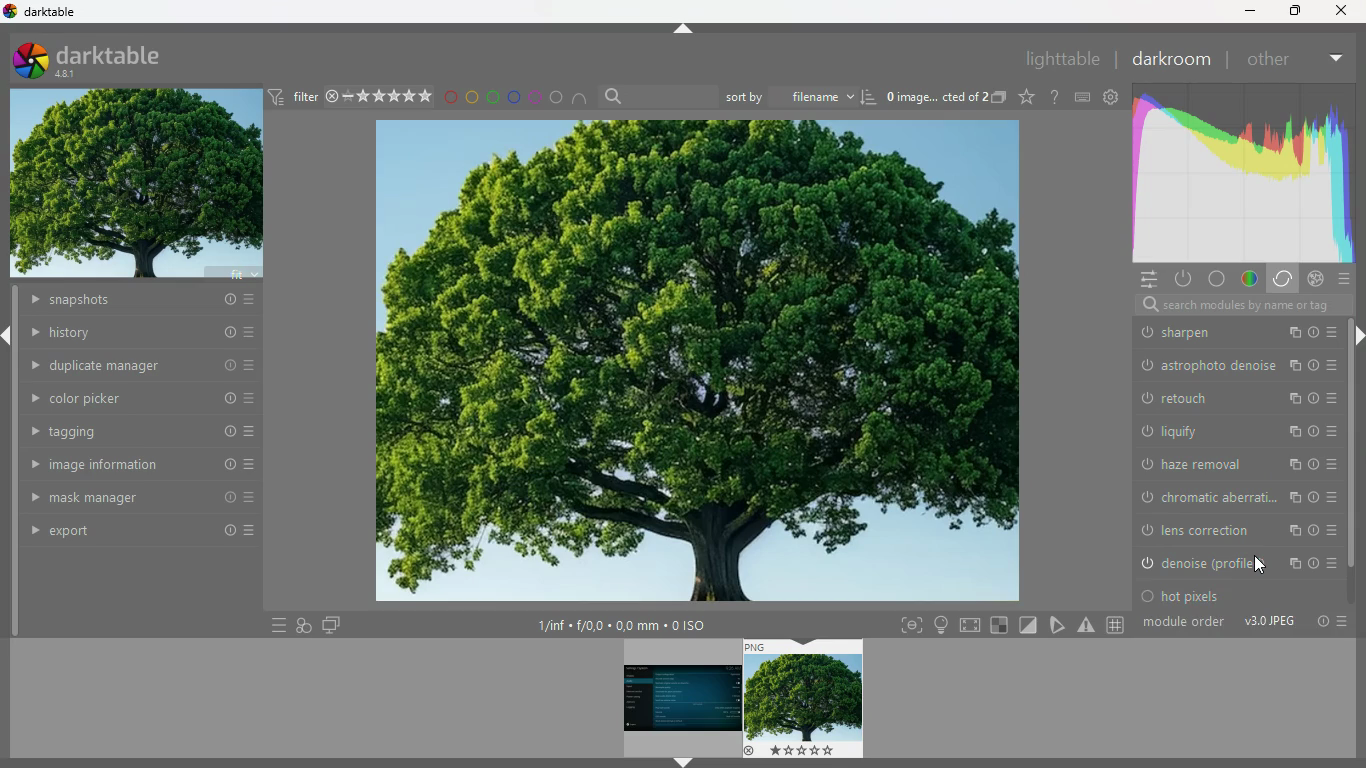 This screenshot has height=768, width=1366. What do you see at coordinates (304, 625) in the screenshot?
I see `images` at bounding box center [304, 625].